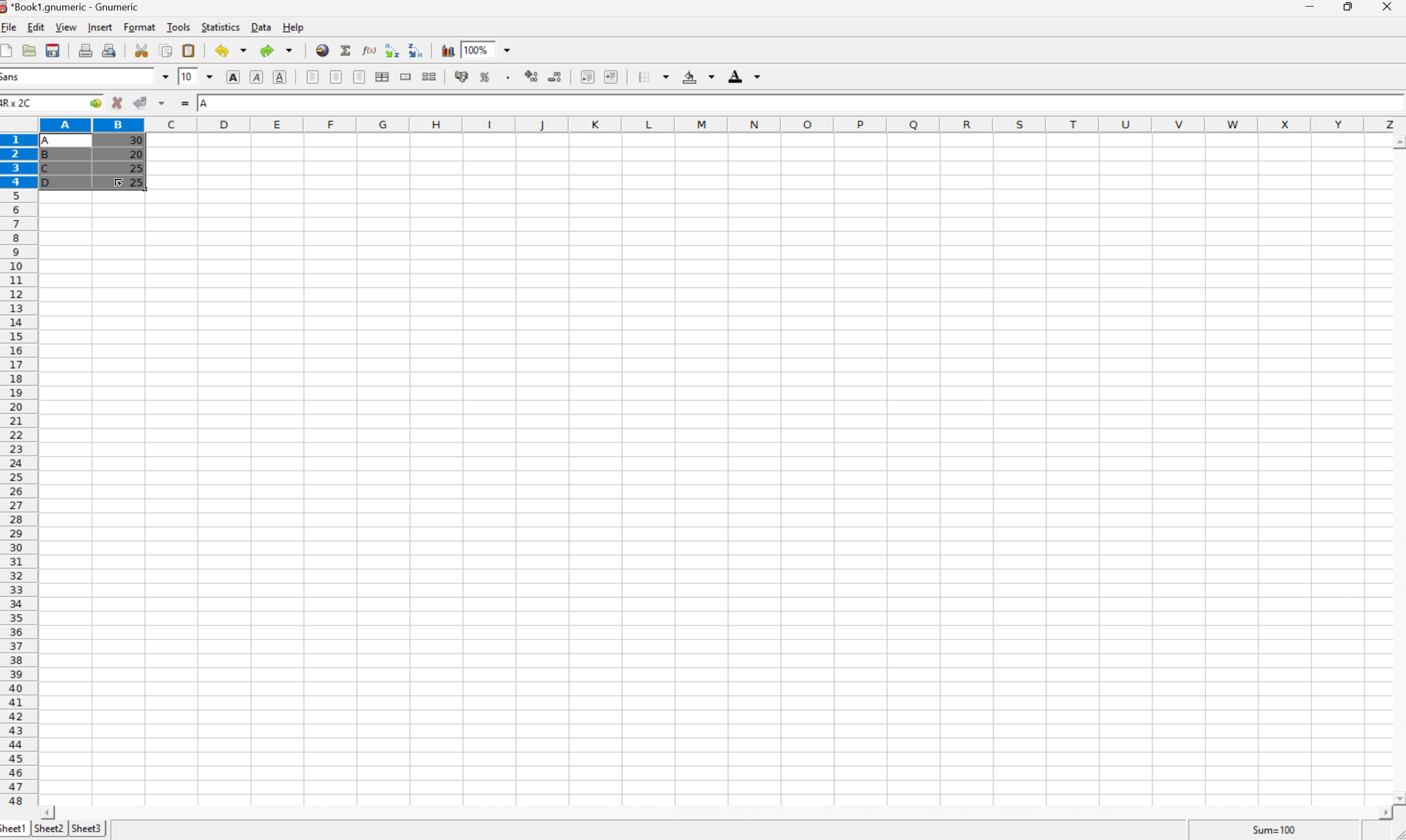  I want to click on Merge horizontally across the selection, so click(382, 76).